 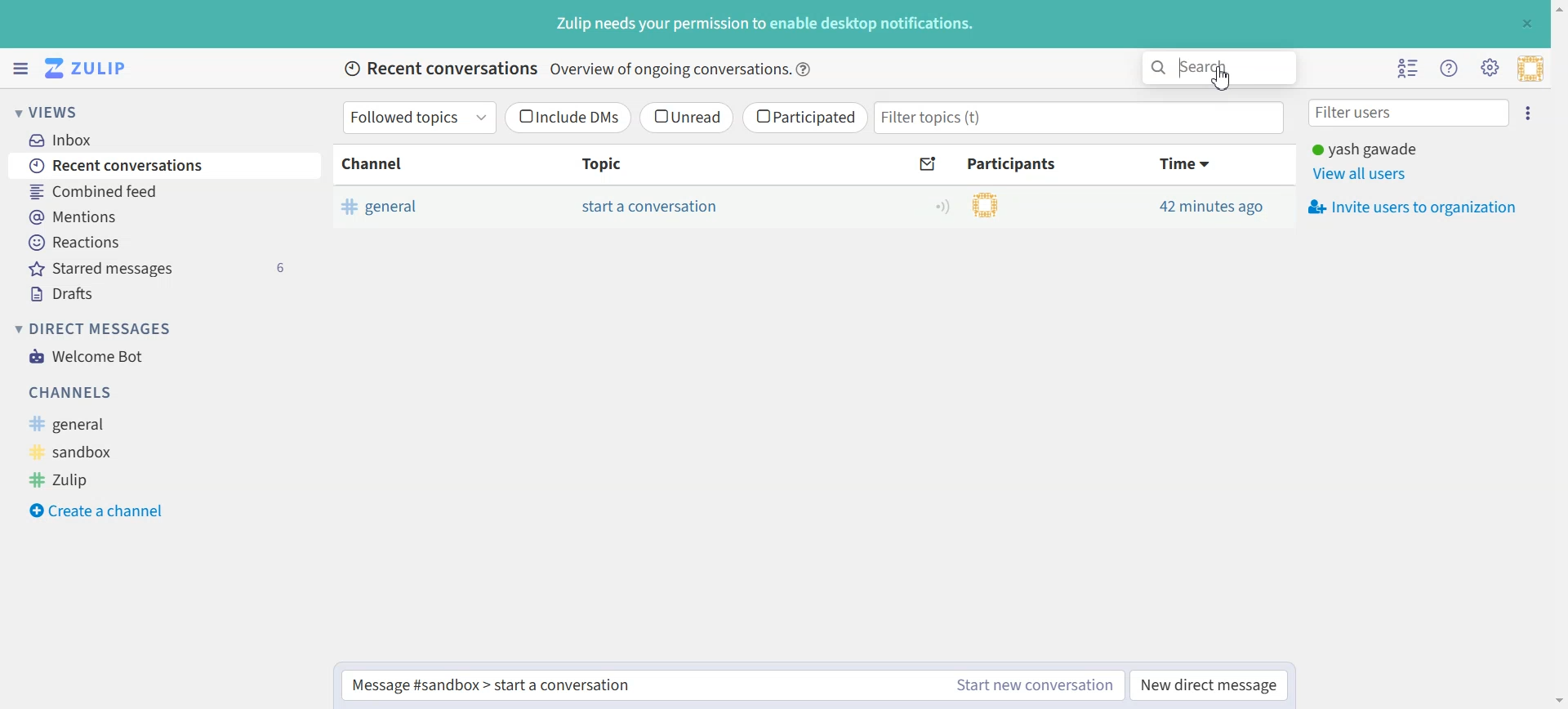 What do you see at coordinates (421, 206) in the screenshot?
I see `General Tag` at bounding box center [421, 206].